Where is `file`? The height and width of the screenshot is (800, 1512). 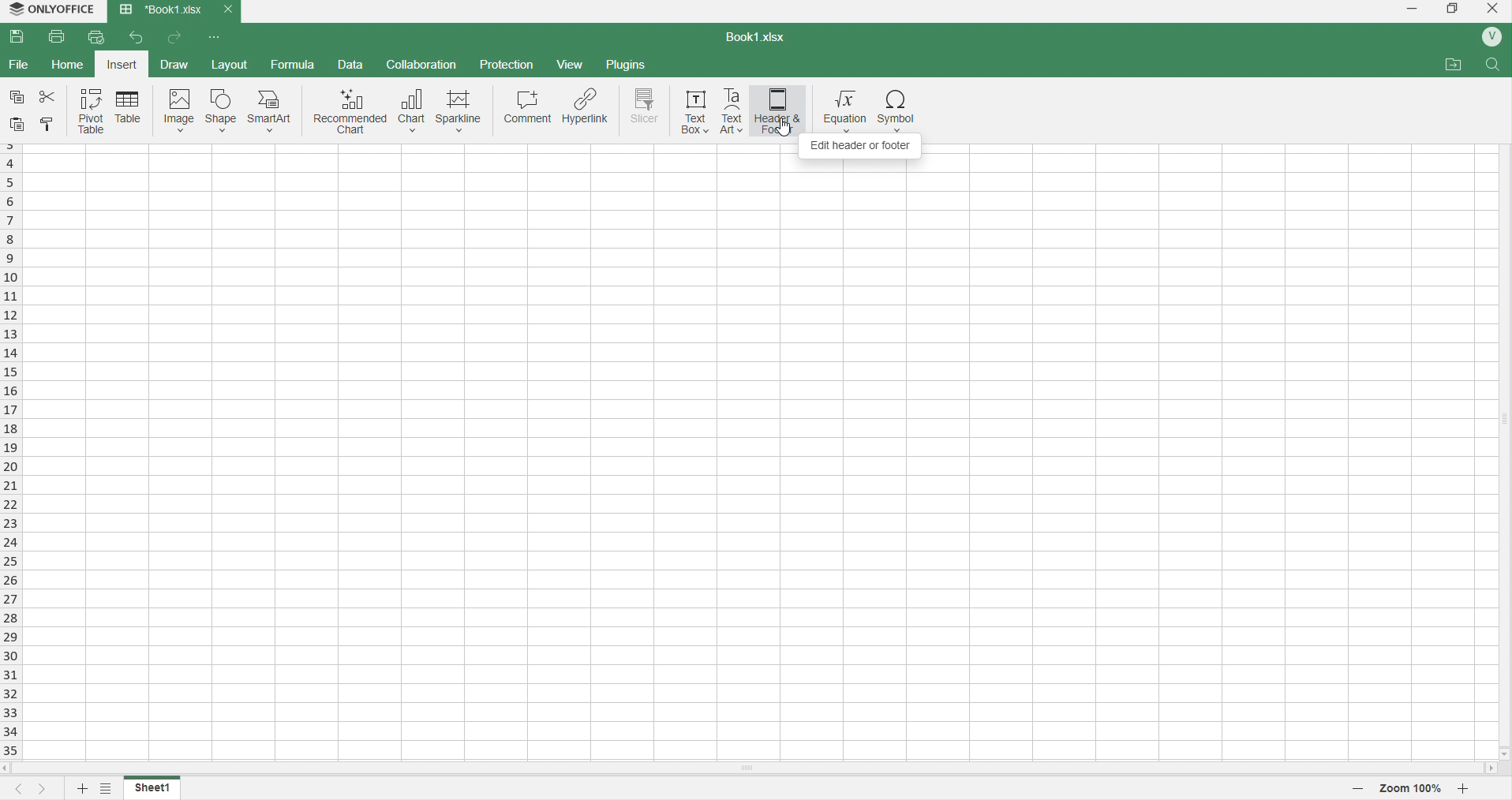
file is located at coordinates (19, 64).